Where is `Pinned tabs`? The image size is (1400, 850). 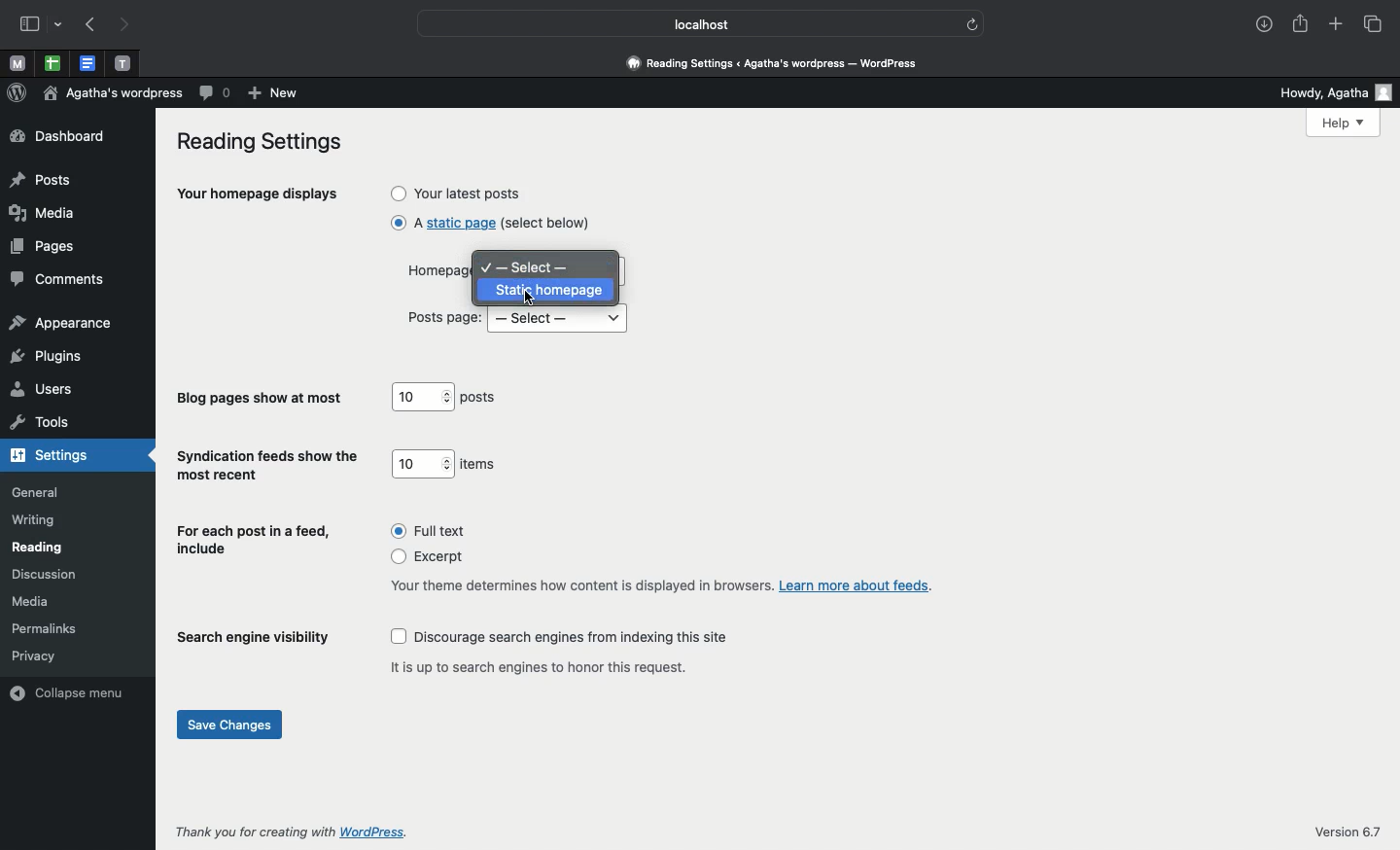
Pinned tabs is located at coordinates (14, 62).